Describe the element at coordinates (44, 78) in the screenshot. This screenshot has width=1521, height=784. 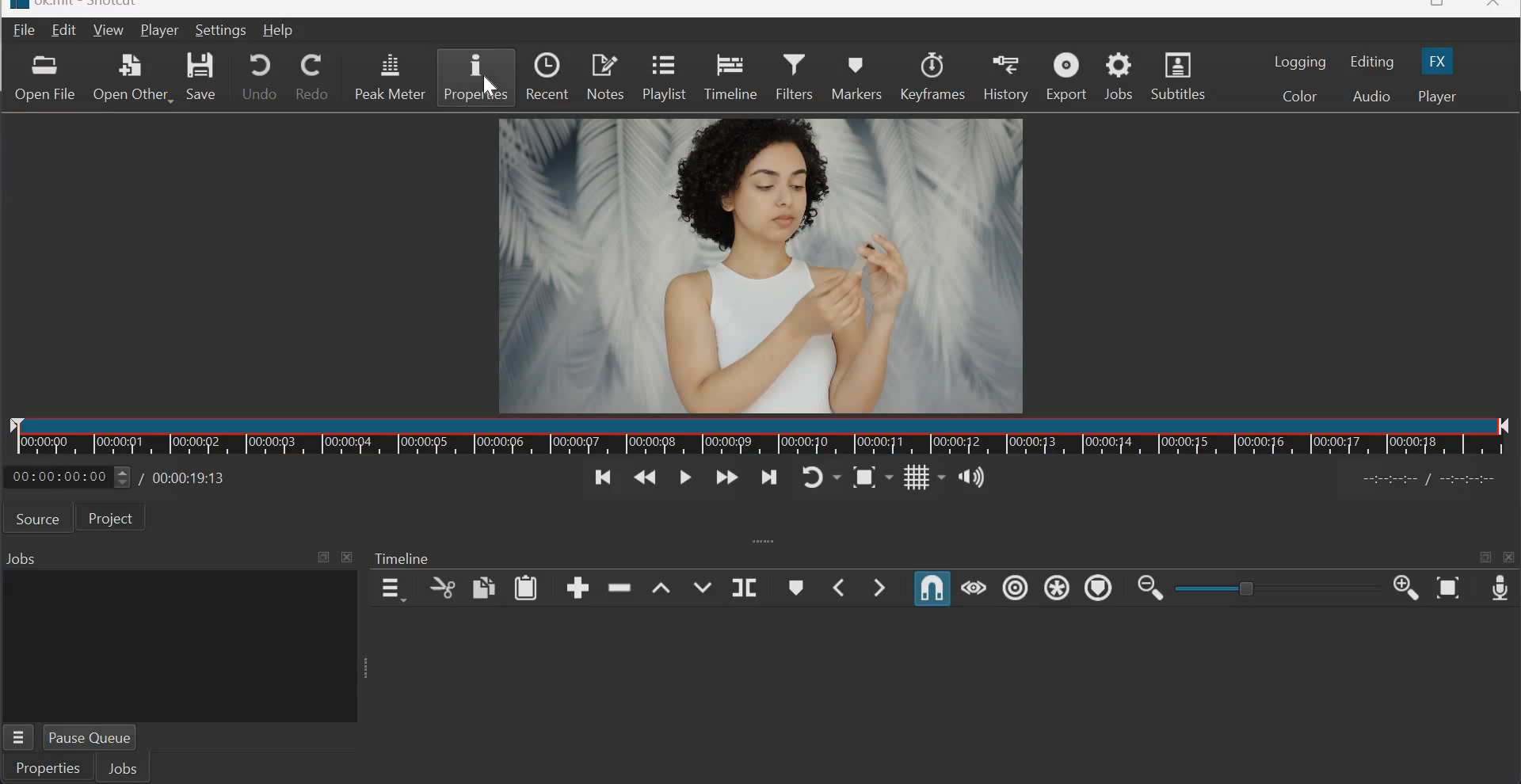
I see `Open file` at that location.